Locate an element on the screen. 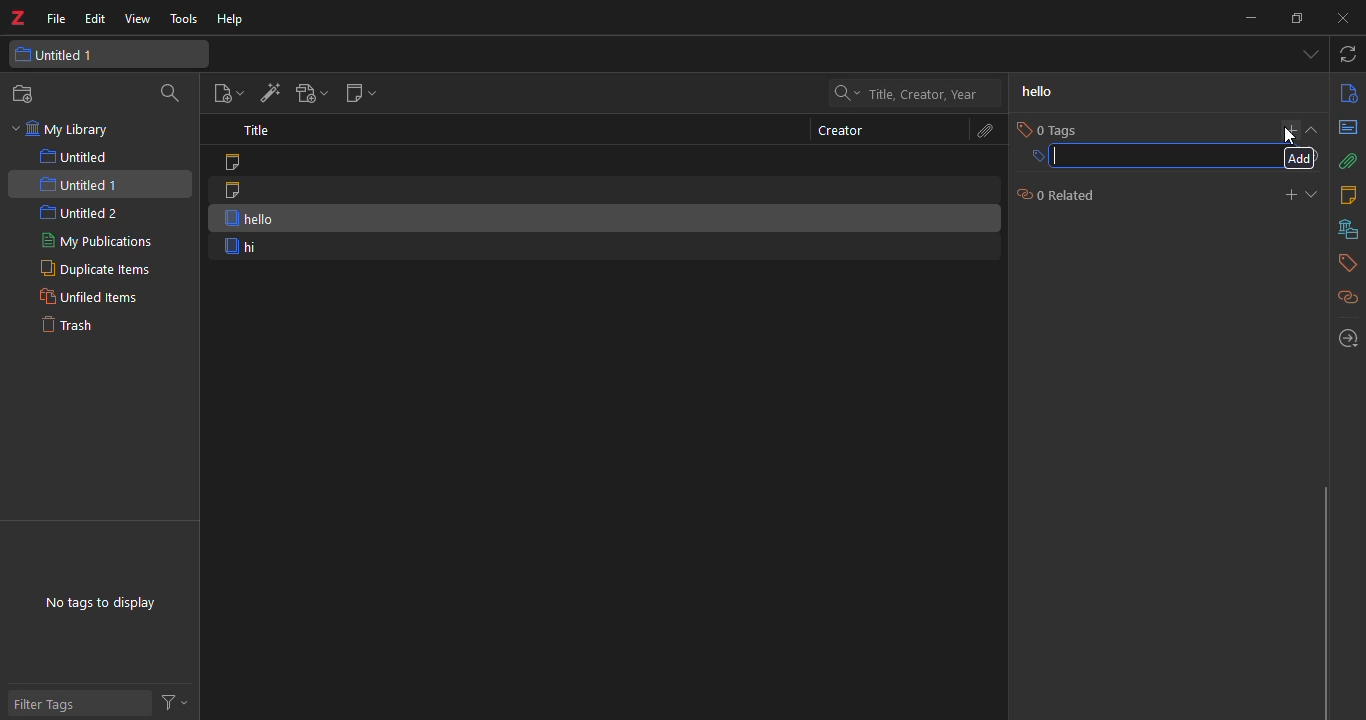  0 related is located at coordinates (1055, 194).